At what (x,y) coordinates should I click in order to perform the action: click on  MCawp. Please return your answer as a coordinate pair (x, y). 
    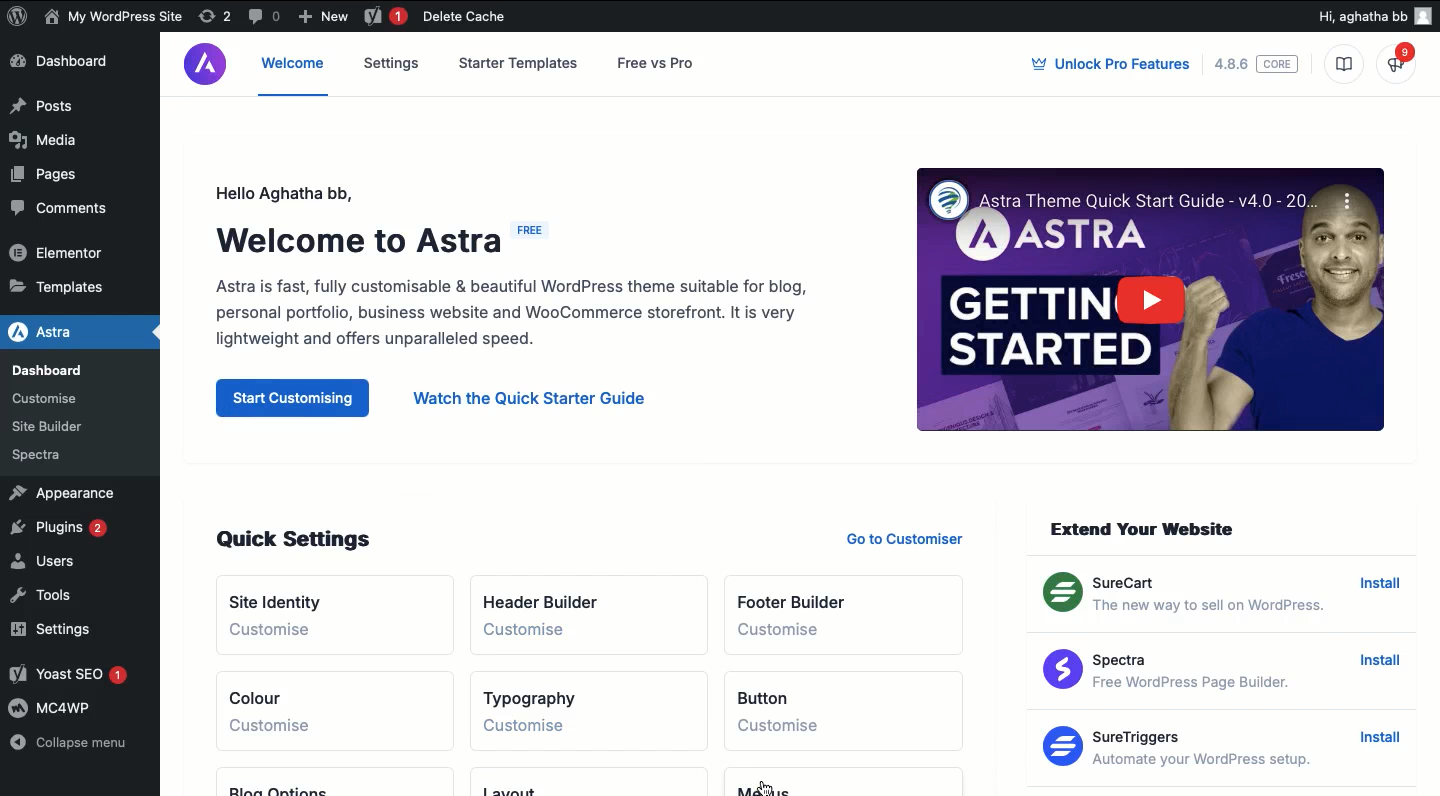
    Looking at the image, I should click on (66, 711).